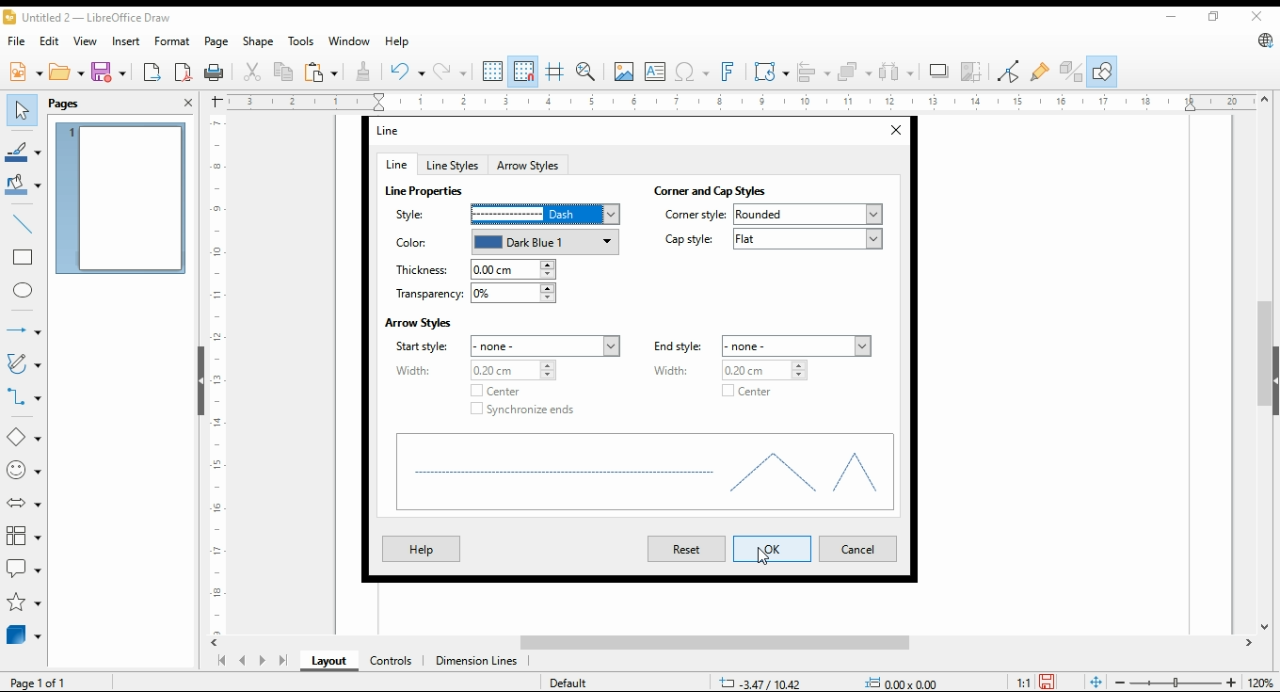  I want to click on callout shapes, so click(24, 566).